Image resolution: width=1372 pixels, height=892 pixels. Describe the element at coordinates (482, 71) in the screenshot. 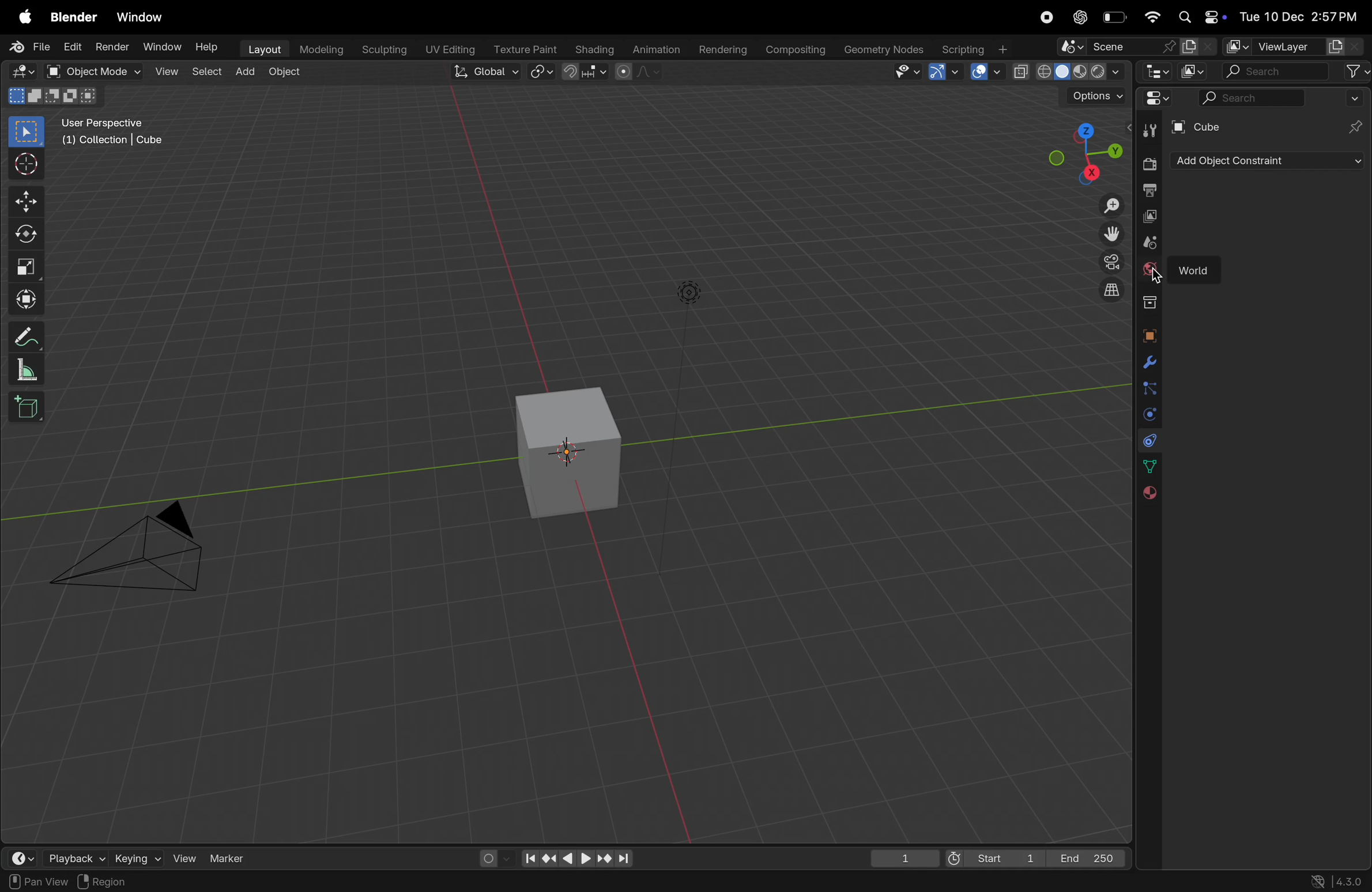

I see `Global` at that location.